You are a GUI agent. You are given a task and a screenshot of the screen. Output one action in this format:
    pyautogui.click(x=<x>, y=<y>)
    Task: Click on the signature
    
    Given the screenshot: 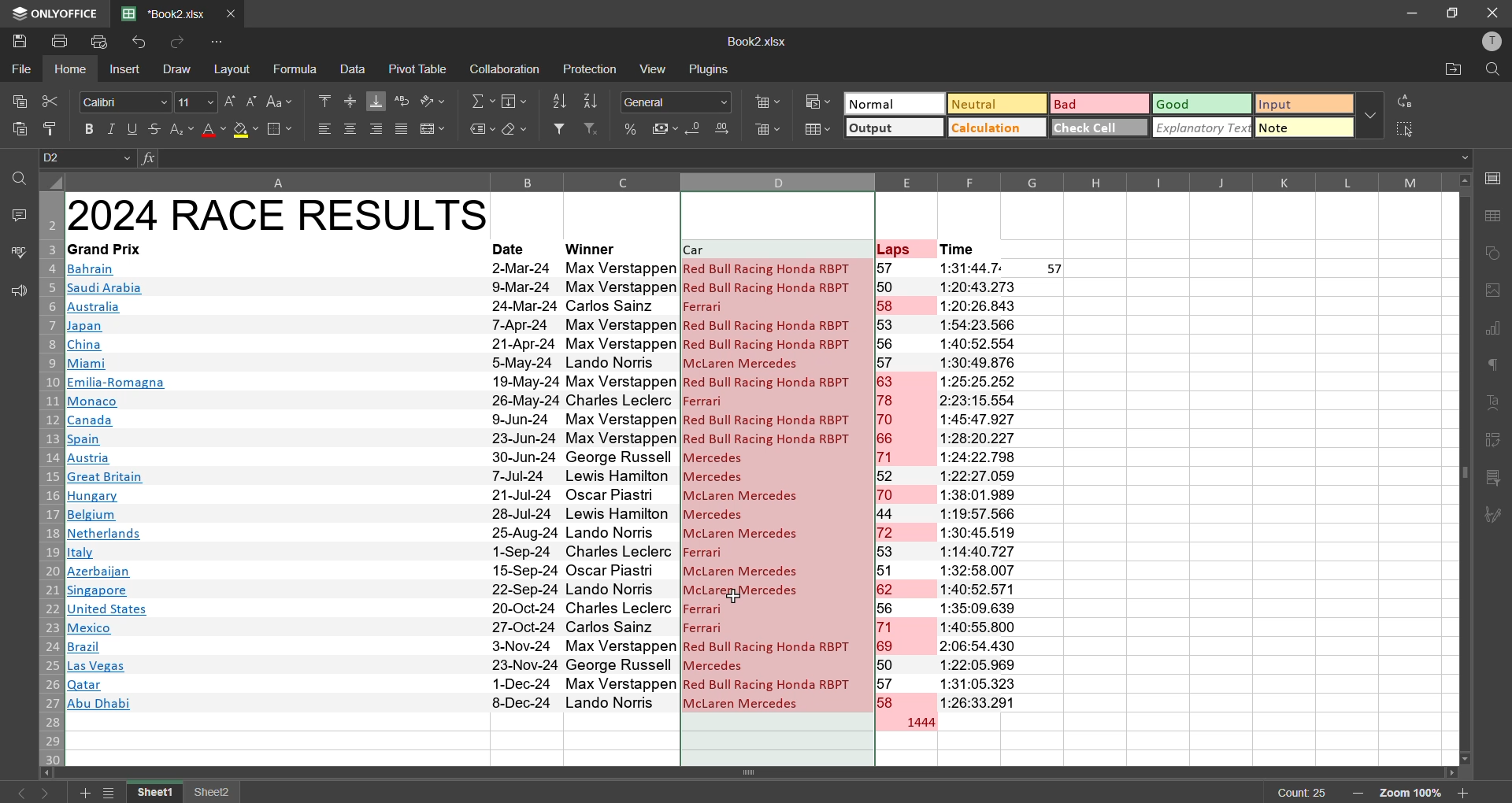 What is the action you would take?
    pyautogui.click(x=1494, y=516)
    